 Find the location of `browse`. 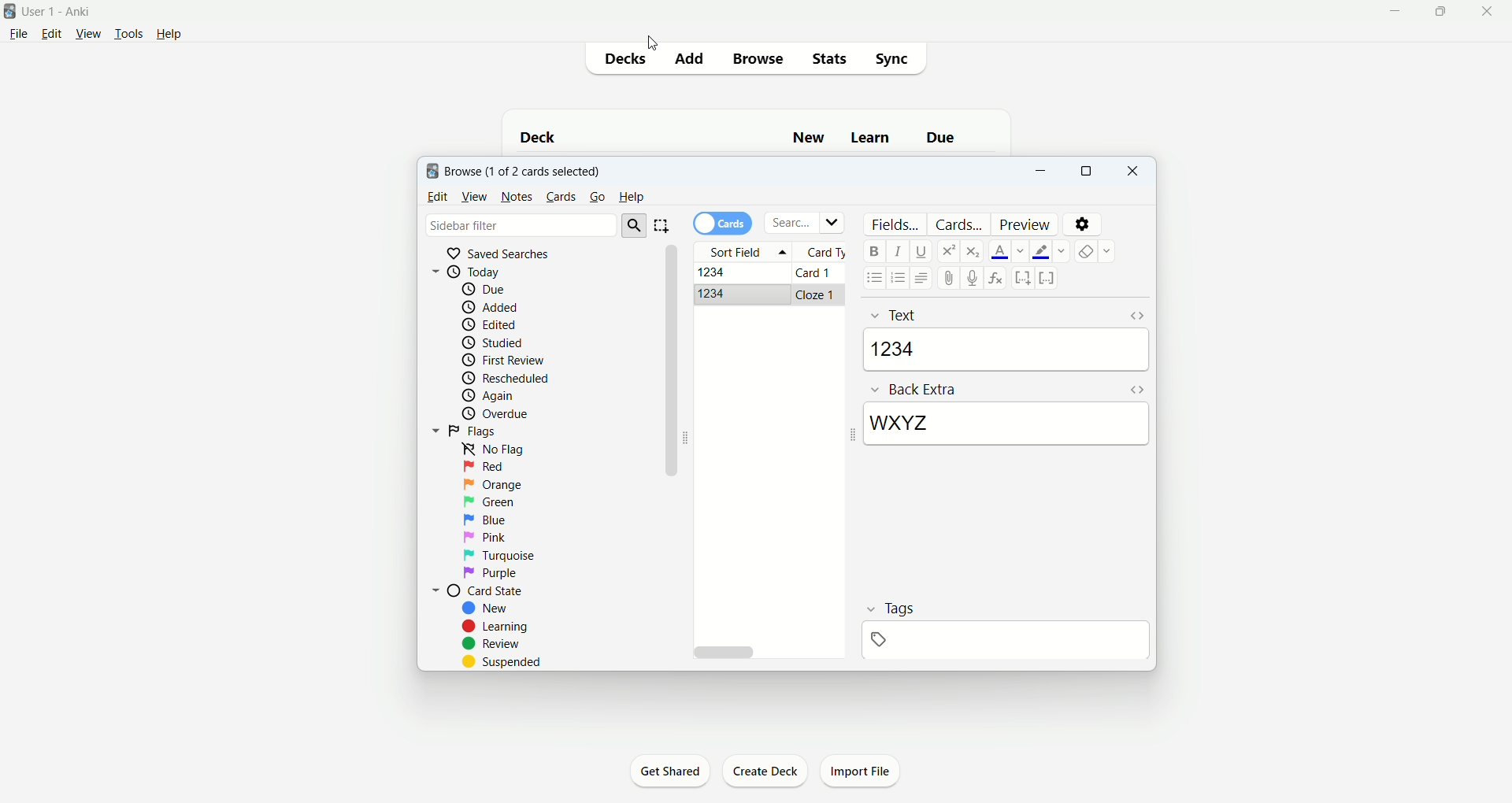

browse is located at coordinates (527, 172).